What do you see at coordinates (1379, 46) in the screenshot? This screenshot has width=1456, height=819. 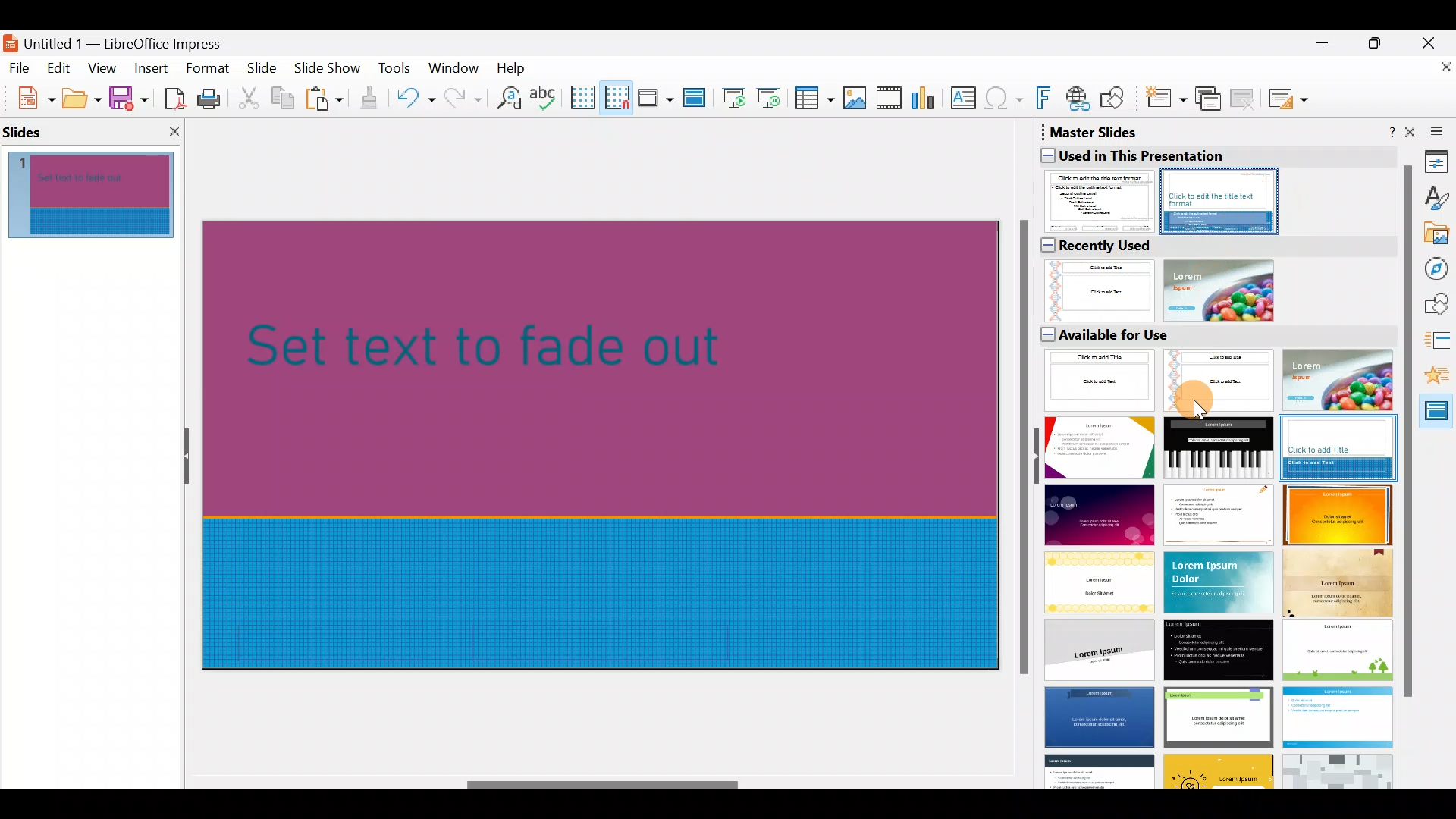 I see `Maximise` at bounding box center [1379, 46].